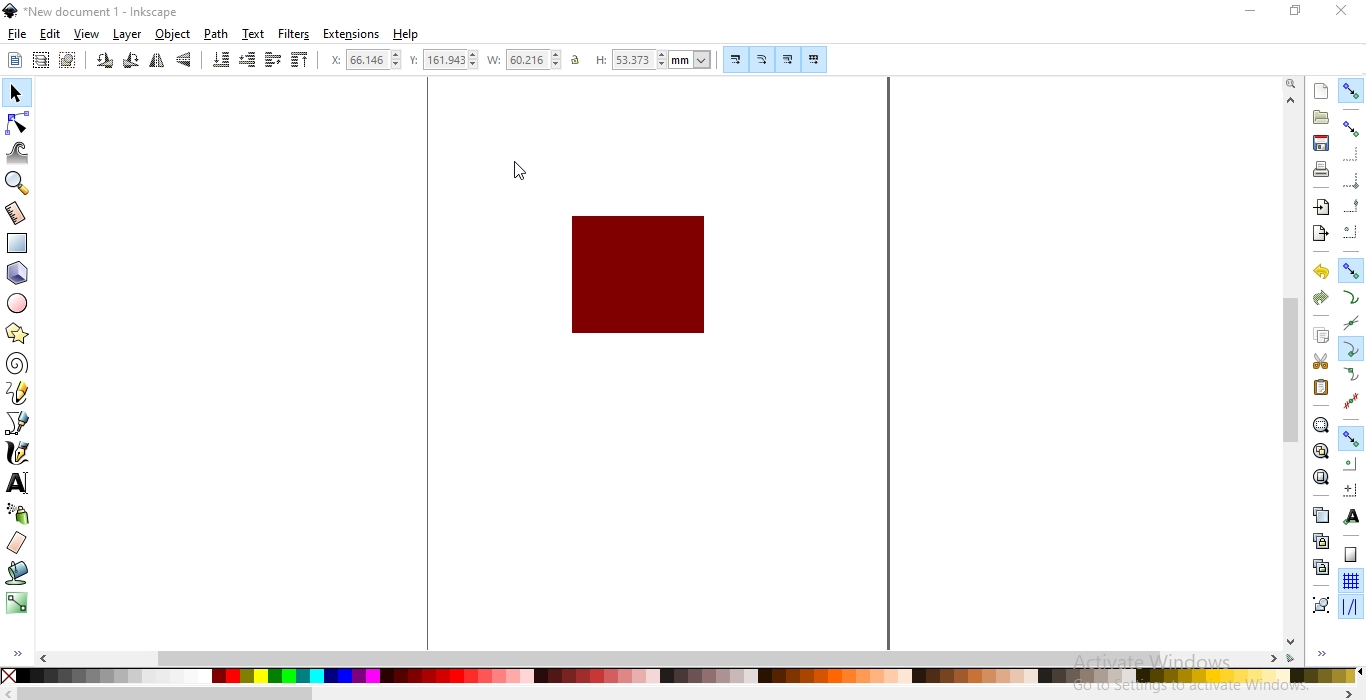 This screenshot has width=1366, height=700. What do you see at coordinates (17, 607) in the screenshot?
I see `create and edit gradient ` at bounding box center [17, 607].